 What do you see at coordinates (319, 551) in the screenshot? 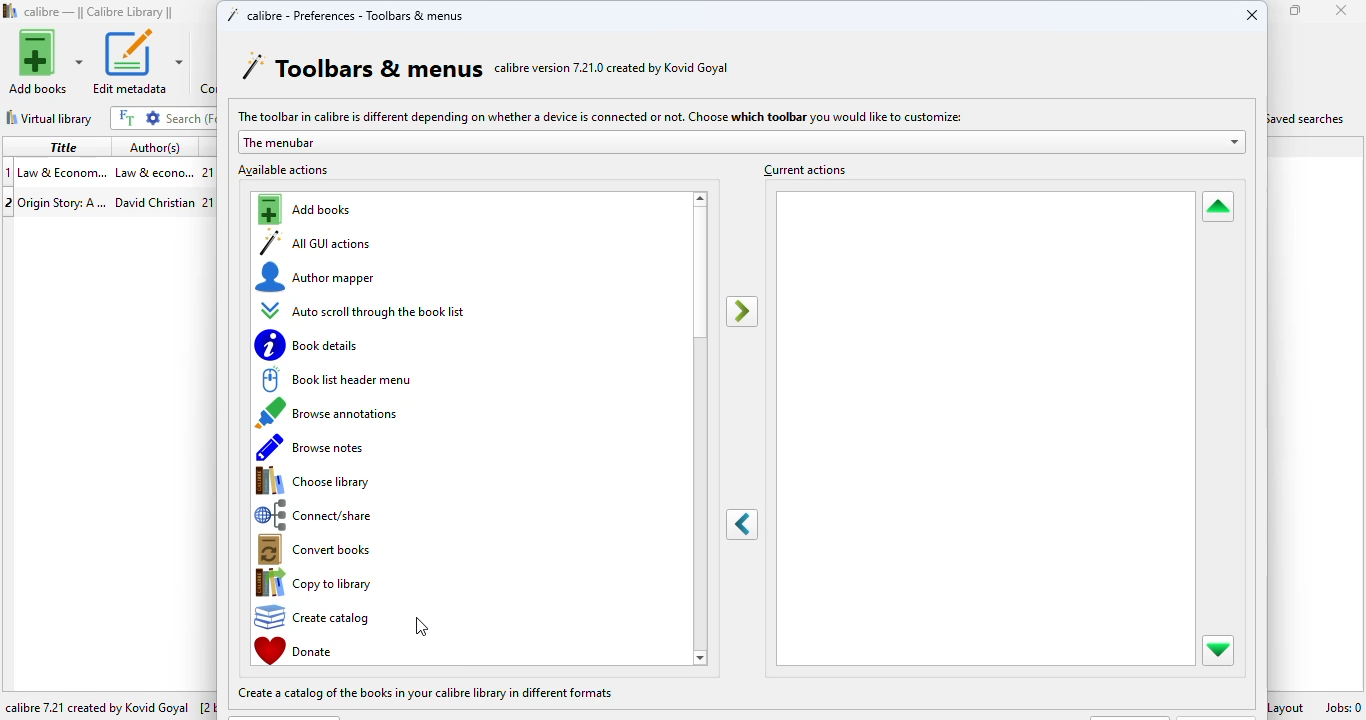
I see `convert books` at bounding box center [319, 551].